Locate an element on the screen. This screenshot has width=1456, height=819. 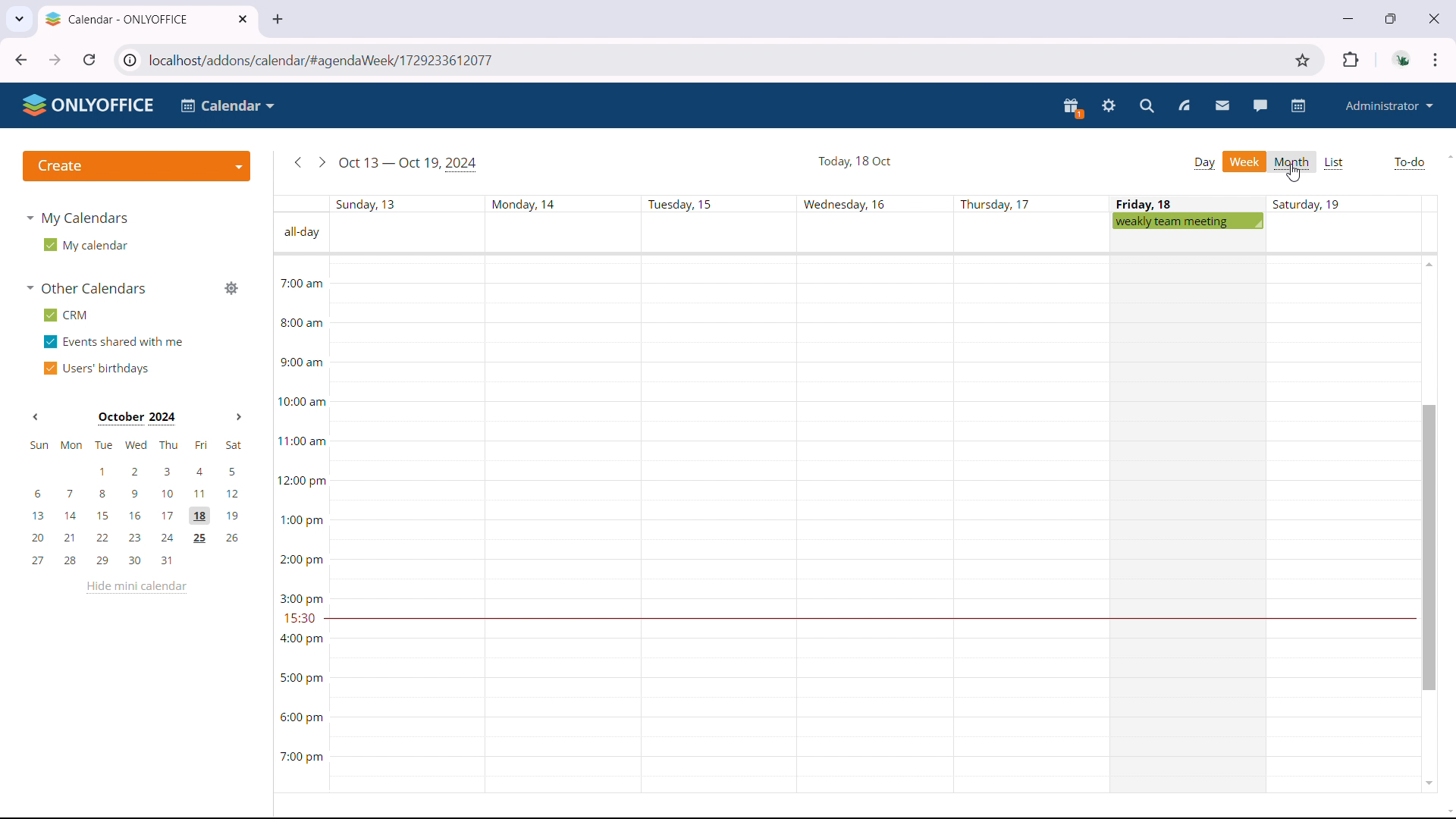
select application is located at coordinates (226, 106).